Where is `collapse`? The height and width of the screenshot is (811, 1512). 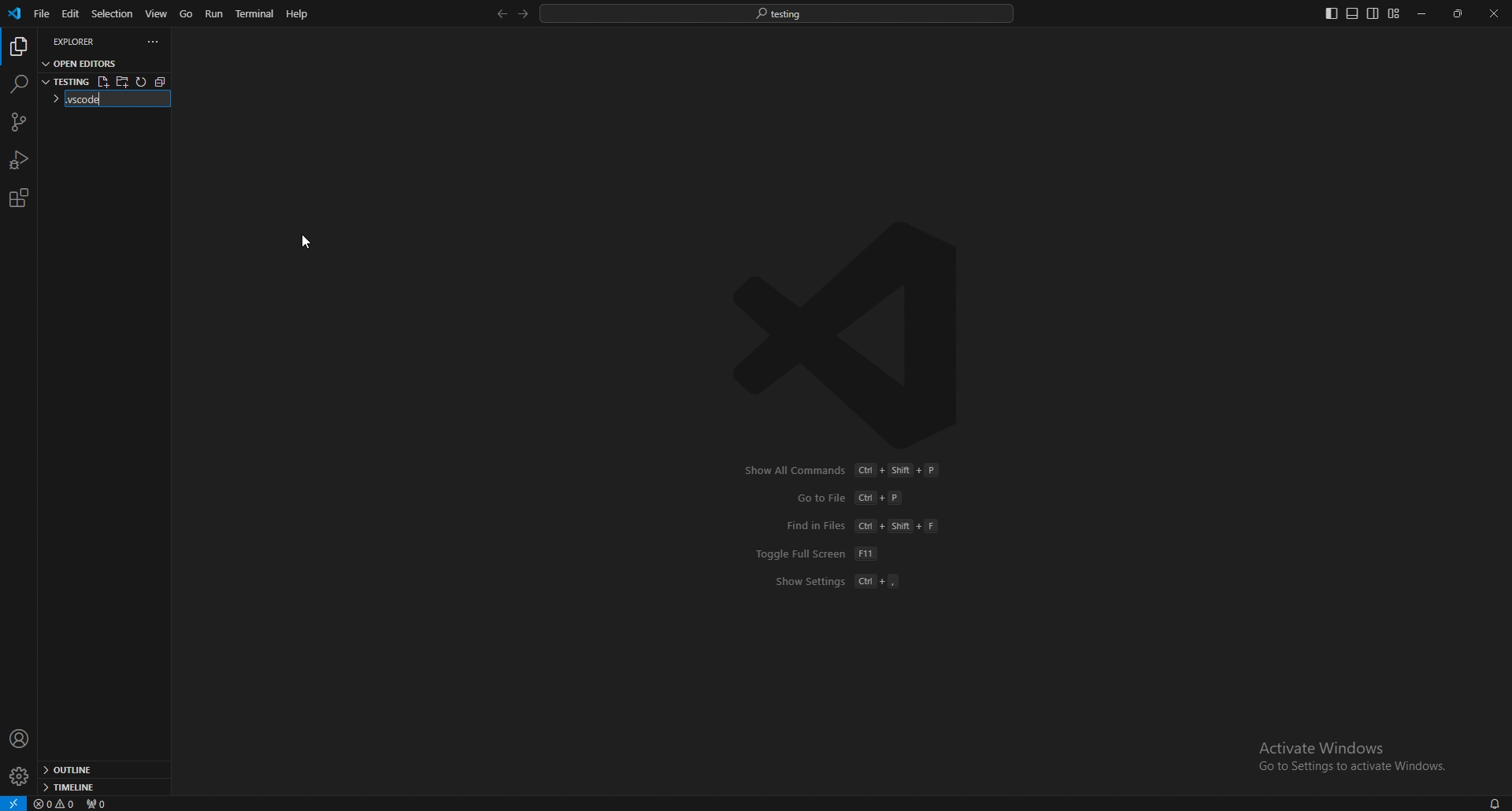 collapse is located at coordinates (165, 81).